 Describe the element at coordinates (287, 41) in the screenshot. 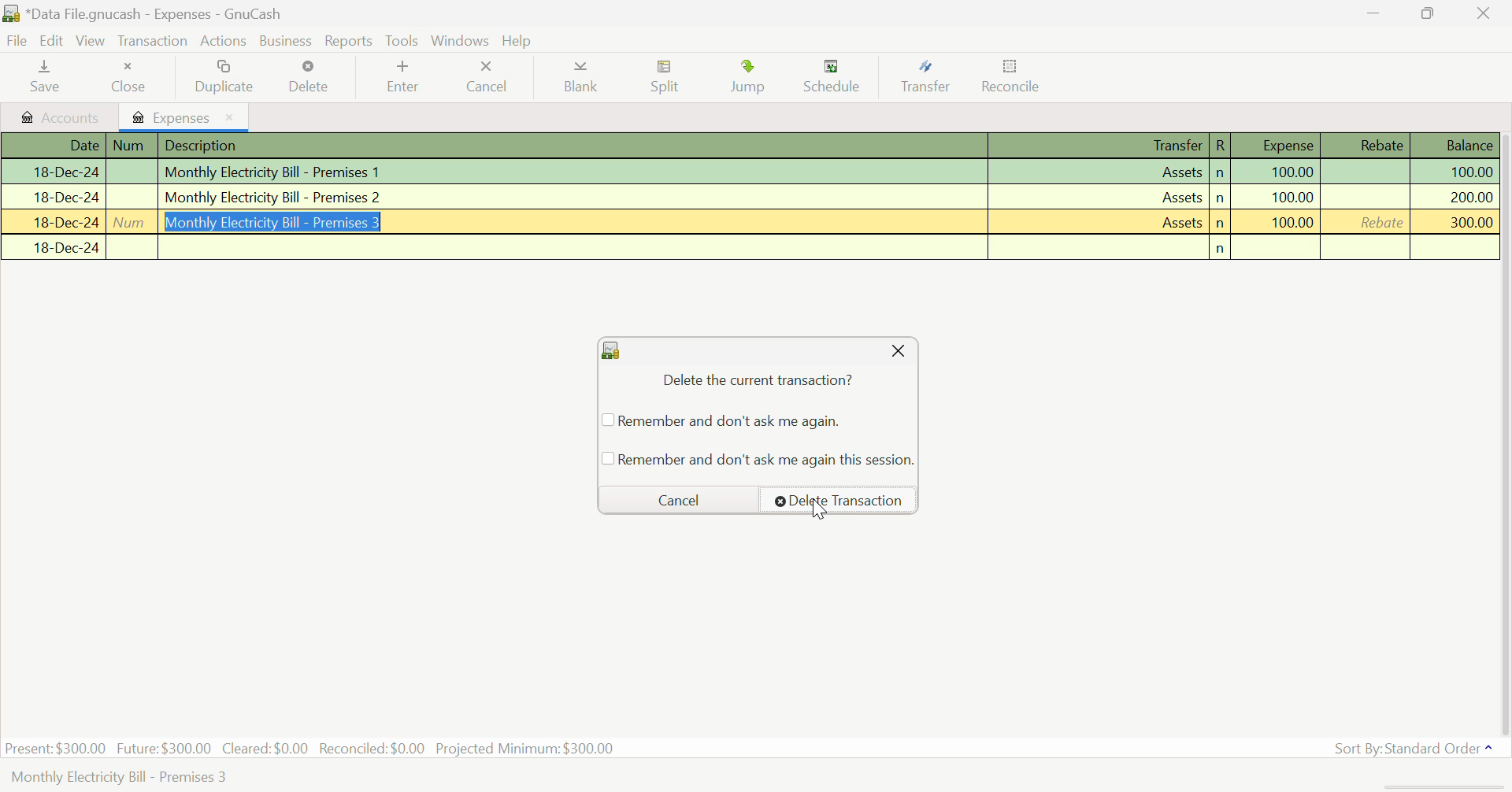

I see `Business` at that location.